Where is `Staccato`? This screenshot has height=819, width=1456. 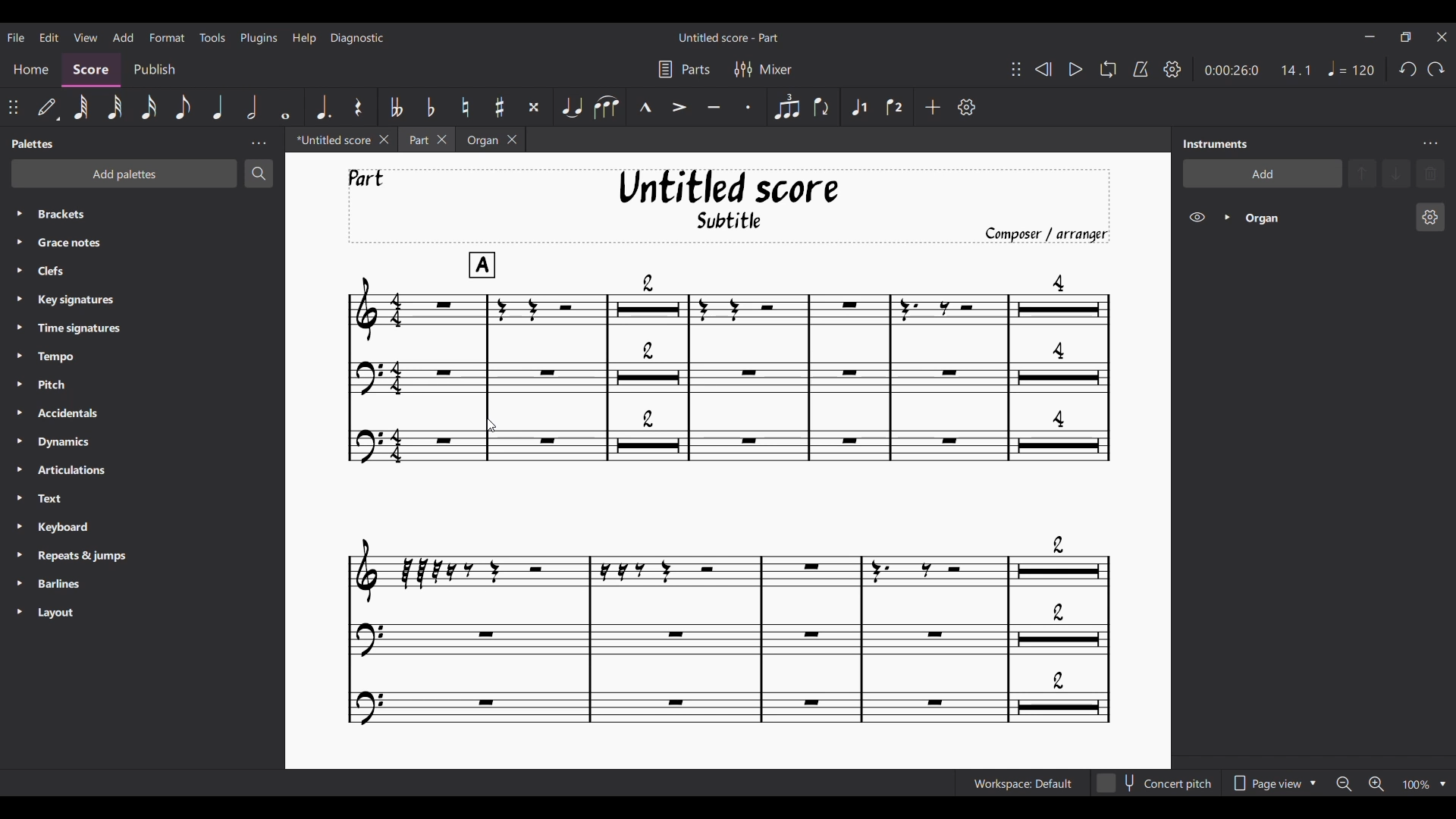
Staccato is located at coordinates (748, 106).